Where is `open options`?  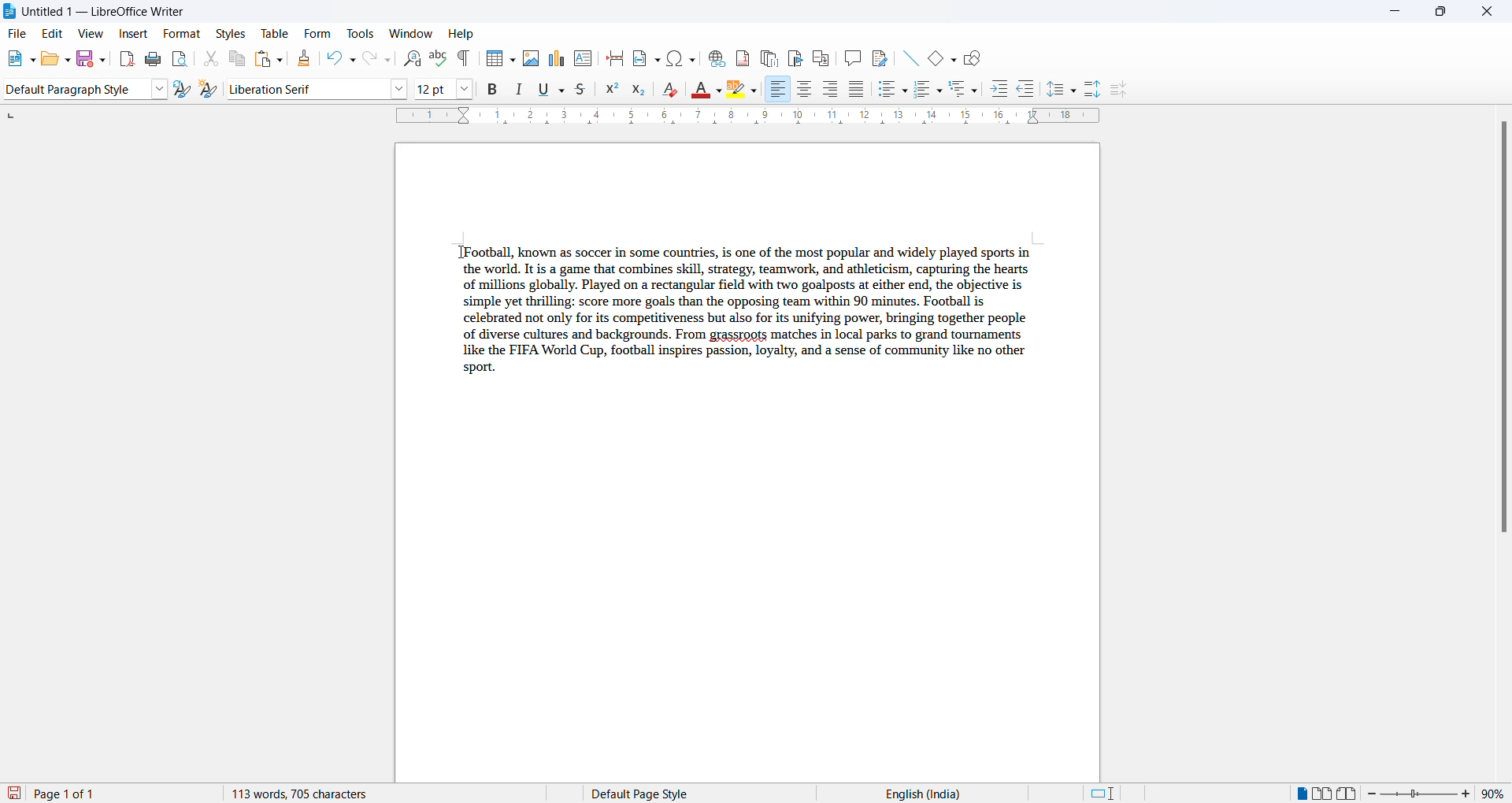
open options is located at coordinates (63, 58).